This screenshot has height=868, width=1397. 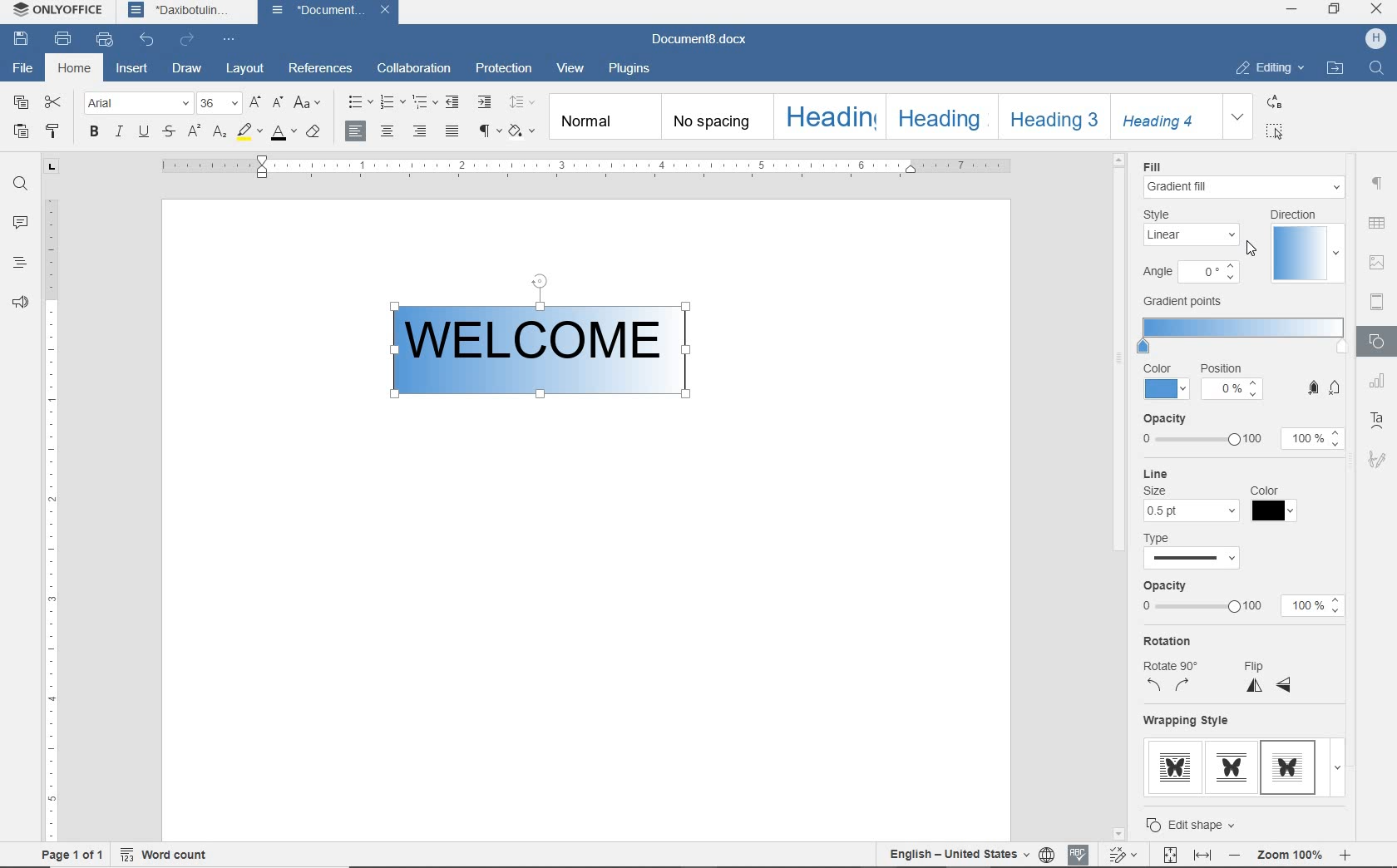 What do you see at coordinates (1170, 856) in the screenshot?
I see `FIT TO PAGE` at bounding box center [1170, 856].